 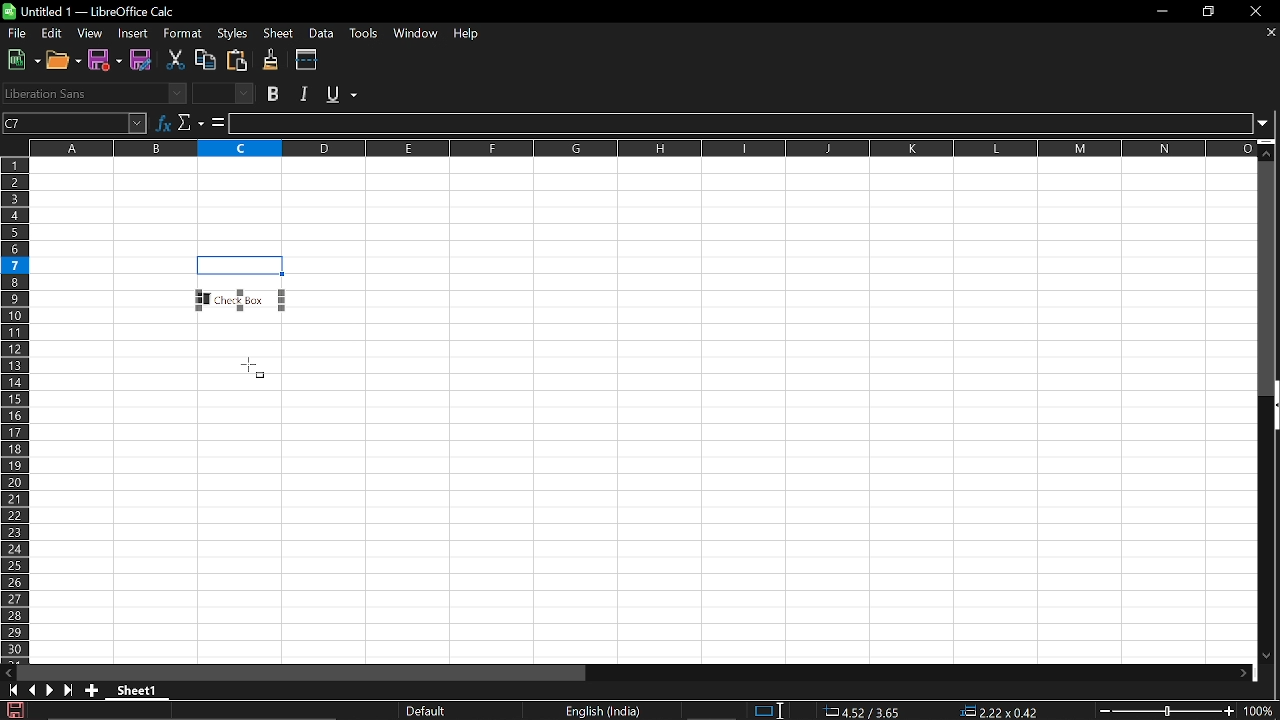 I want to click on Restore down, so click(x=1208, y=13).